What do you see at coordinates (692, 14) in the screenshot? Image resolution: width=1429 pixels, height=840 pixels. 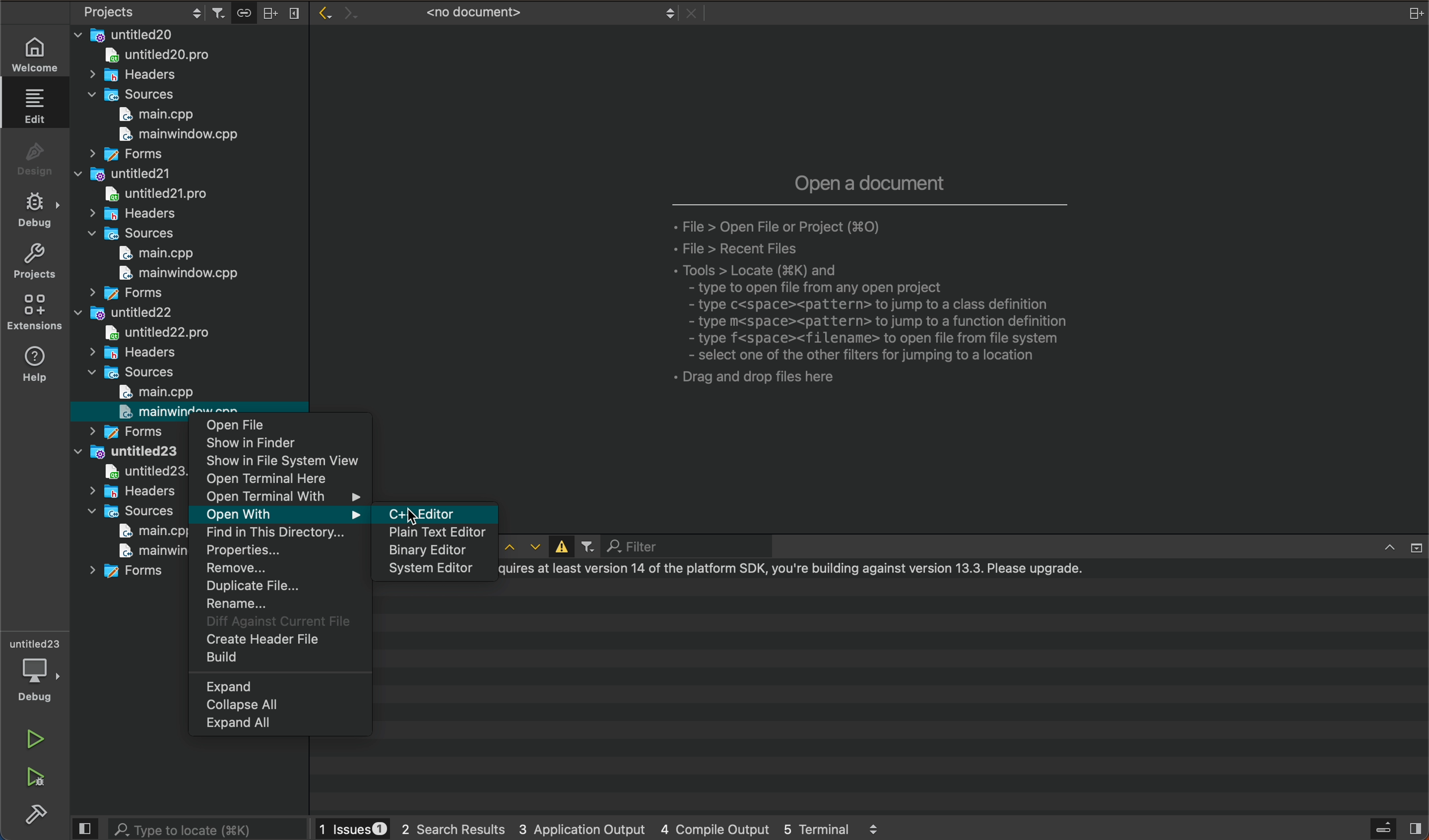 I see `close tab` at bounding box center [692, 14].